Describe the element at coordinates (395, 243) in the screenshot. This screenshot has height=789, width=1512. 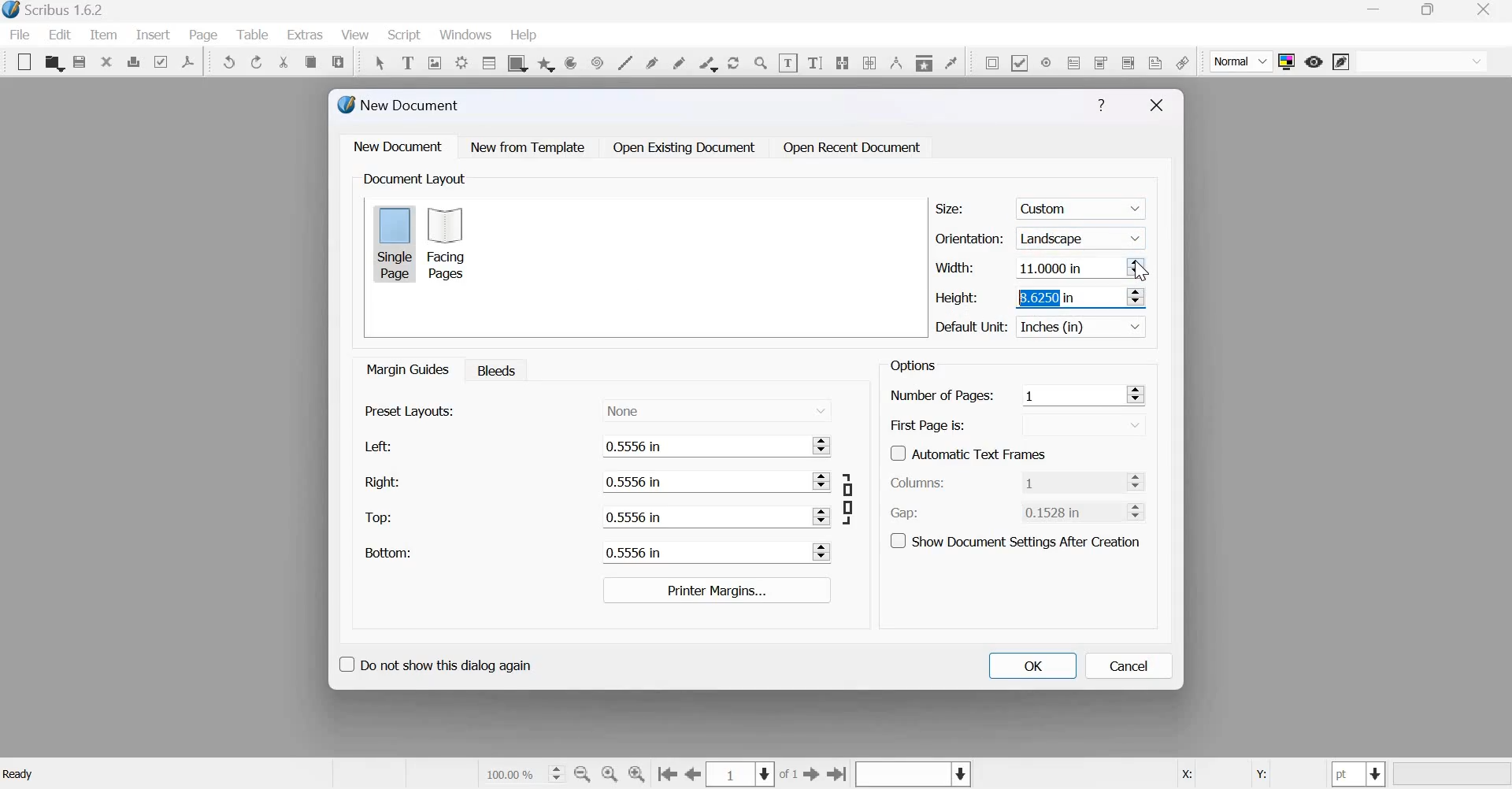
I see `Single page` at that location.